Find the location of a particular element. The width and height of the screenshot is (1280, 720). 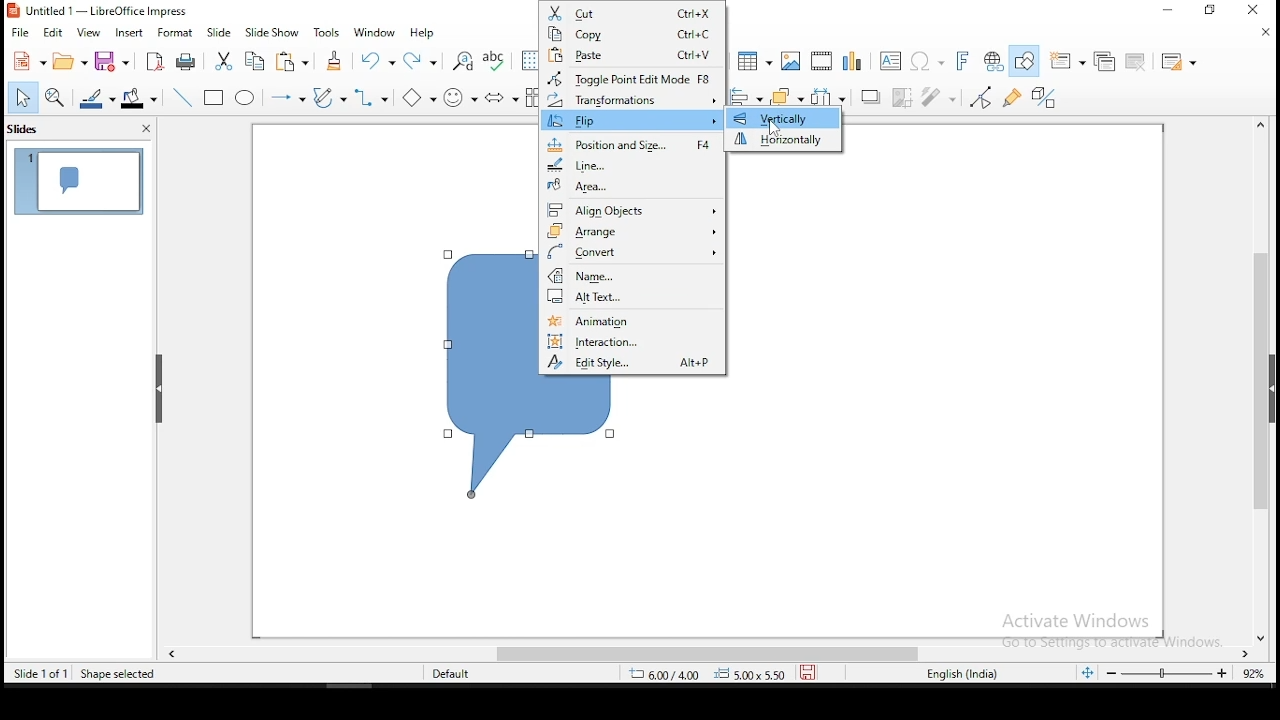

connectors is located at coordinates (371, 98).